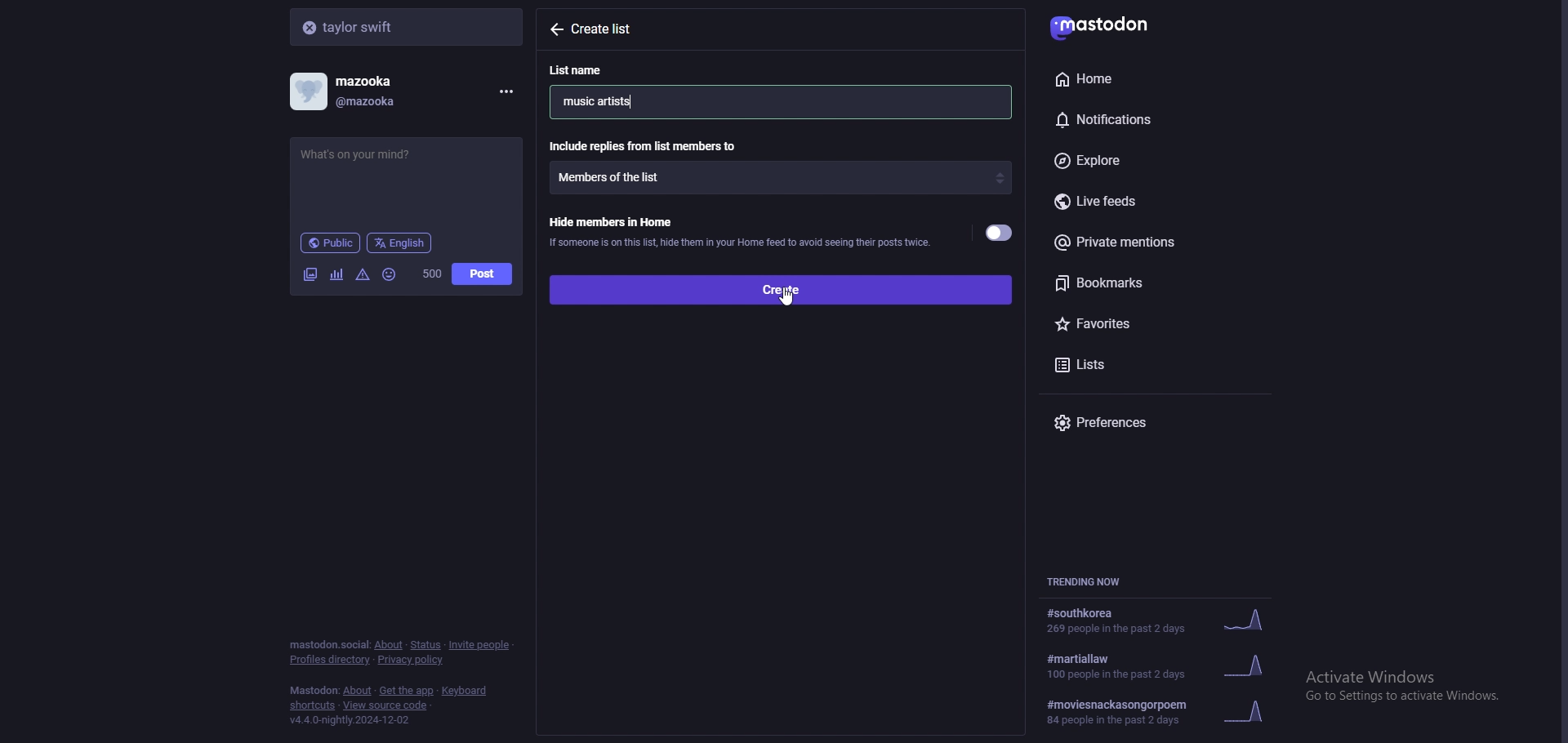  I want to click on mastodon social, so click(328, 645).